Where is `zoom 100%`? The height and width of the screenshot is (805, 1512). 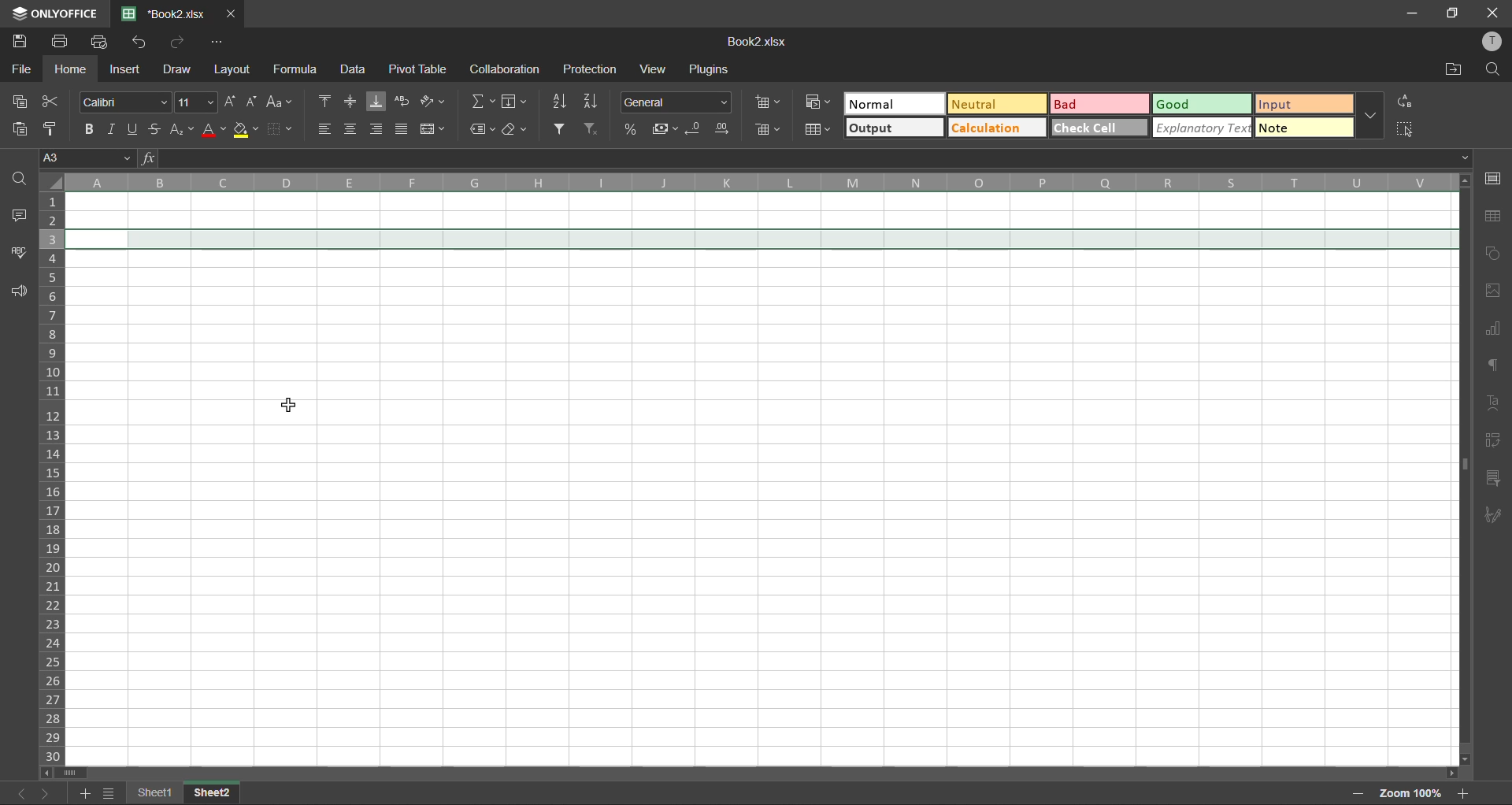 zoom 100% is located at coordinates (1410, 793).